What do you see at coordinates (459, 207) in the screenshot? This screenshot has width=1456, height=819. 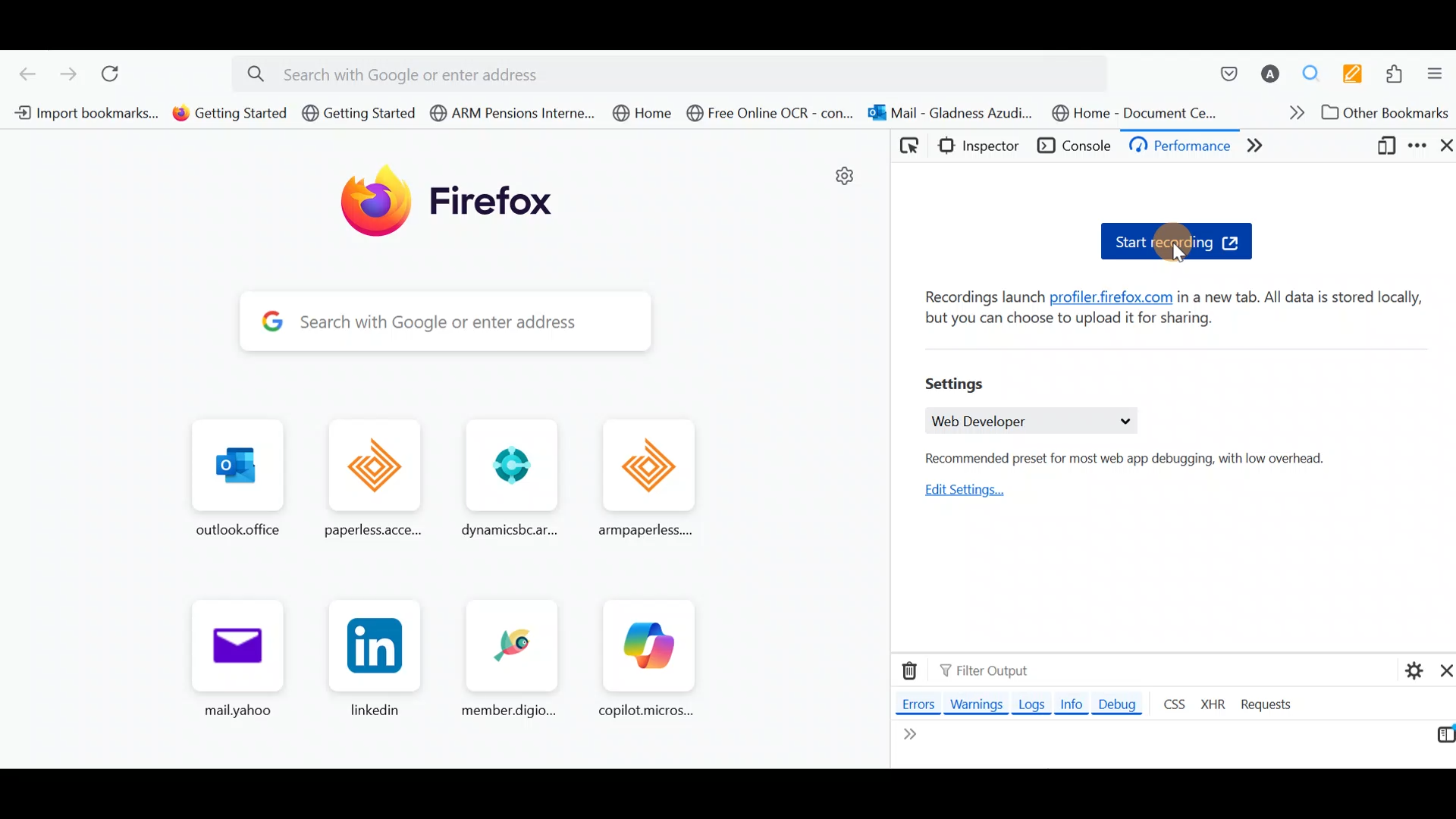 I see `Firefox logo` at bounding box center [459, 207].